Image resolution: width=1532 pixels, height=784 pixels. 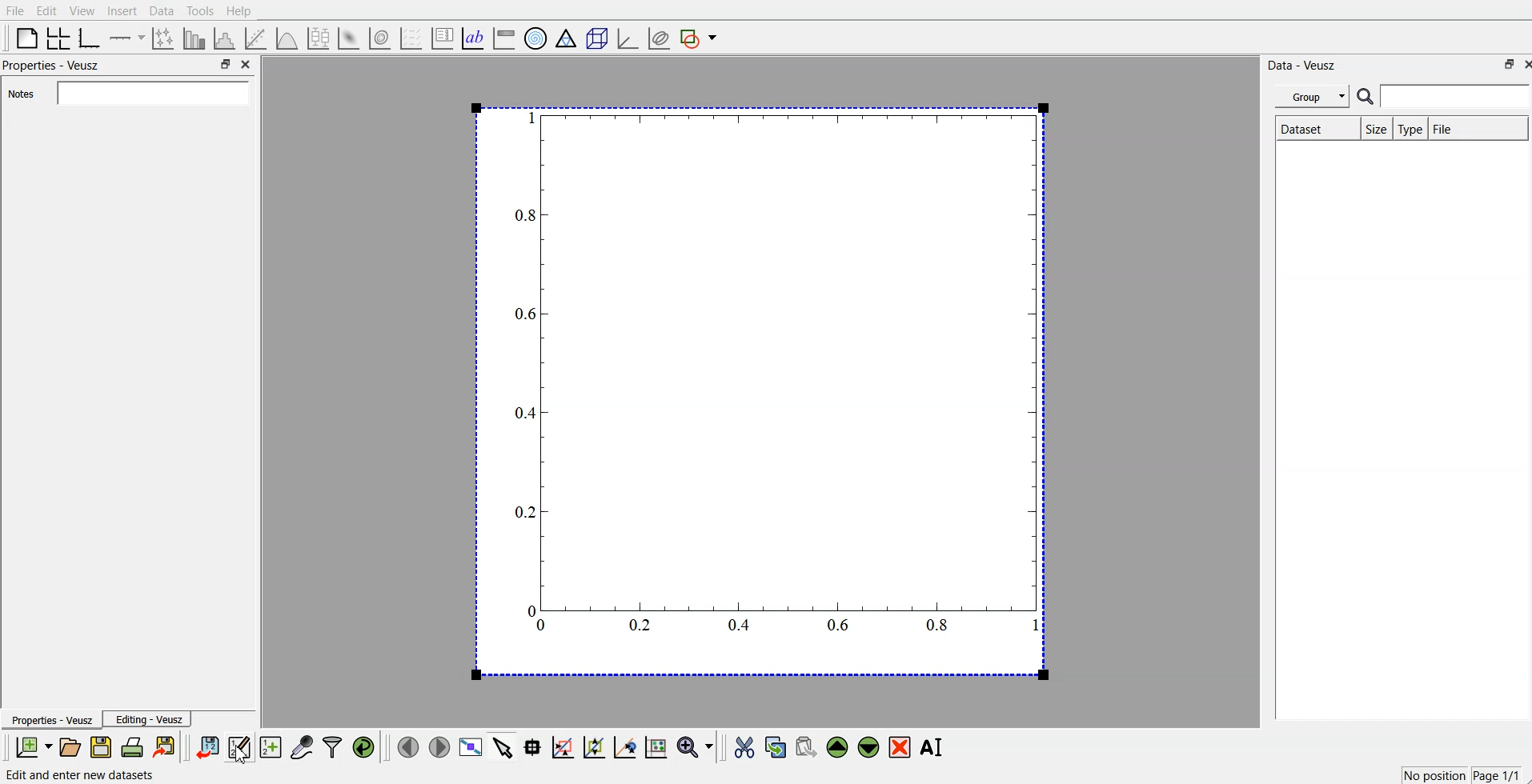 I want to click on move the selected widgets up, so click(x=839, y=747).